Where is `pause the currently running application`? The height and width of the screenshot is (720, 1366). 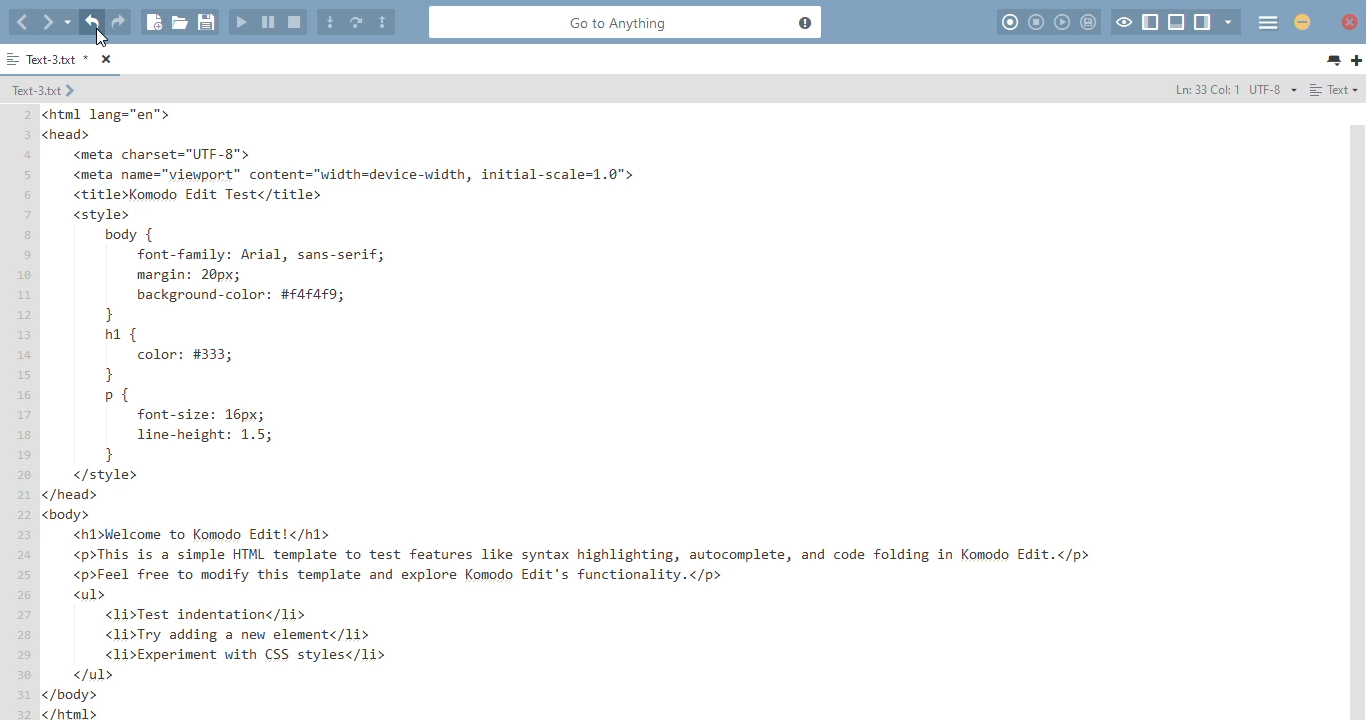
pause the currently running application is located at coordinates (268, 22).